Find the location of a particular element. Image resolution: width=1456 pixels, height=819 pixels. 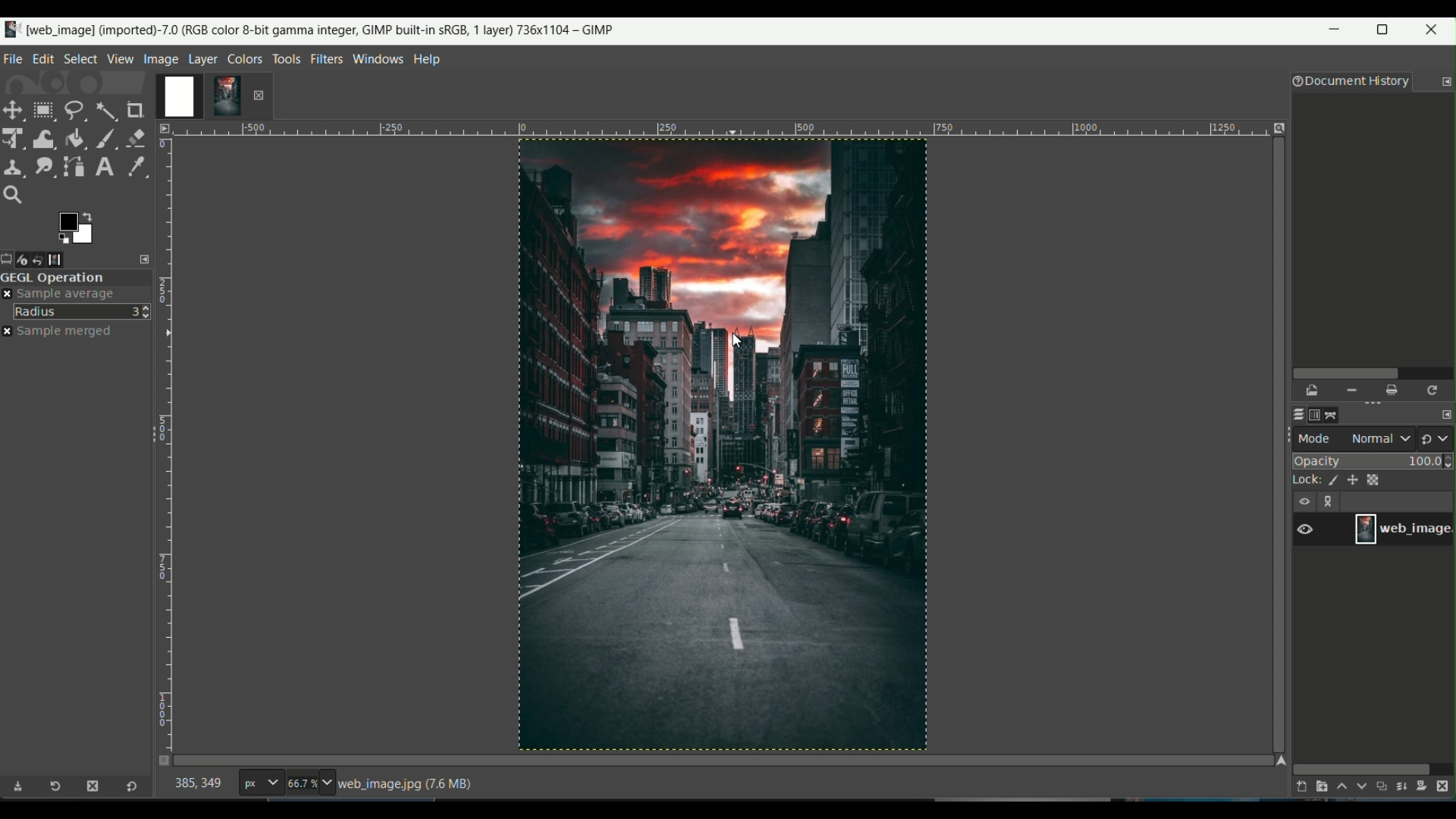

lock is located at coordinates (1301, 482).